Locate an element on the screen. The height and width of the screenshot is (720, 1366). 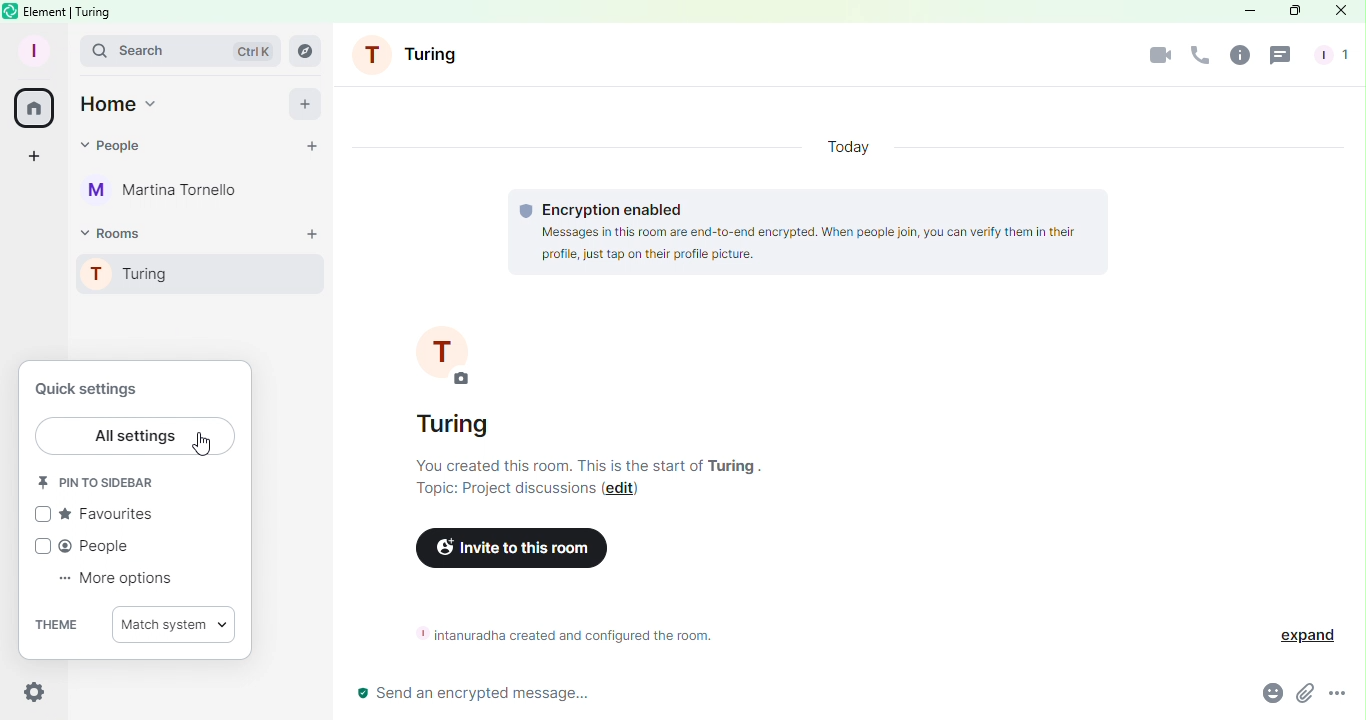
Emoji is located at coordinates (1268, 696).